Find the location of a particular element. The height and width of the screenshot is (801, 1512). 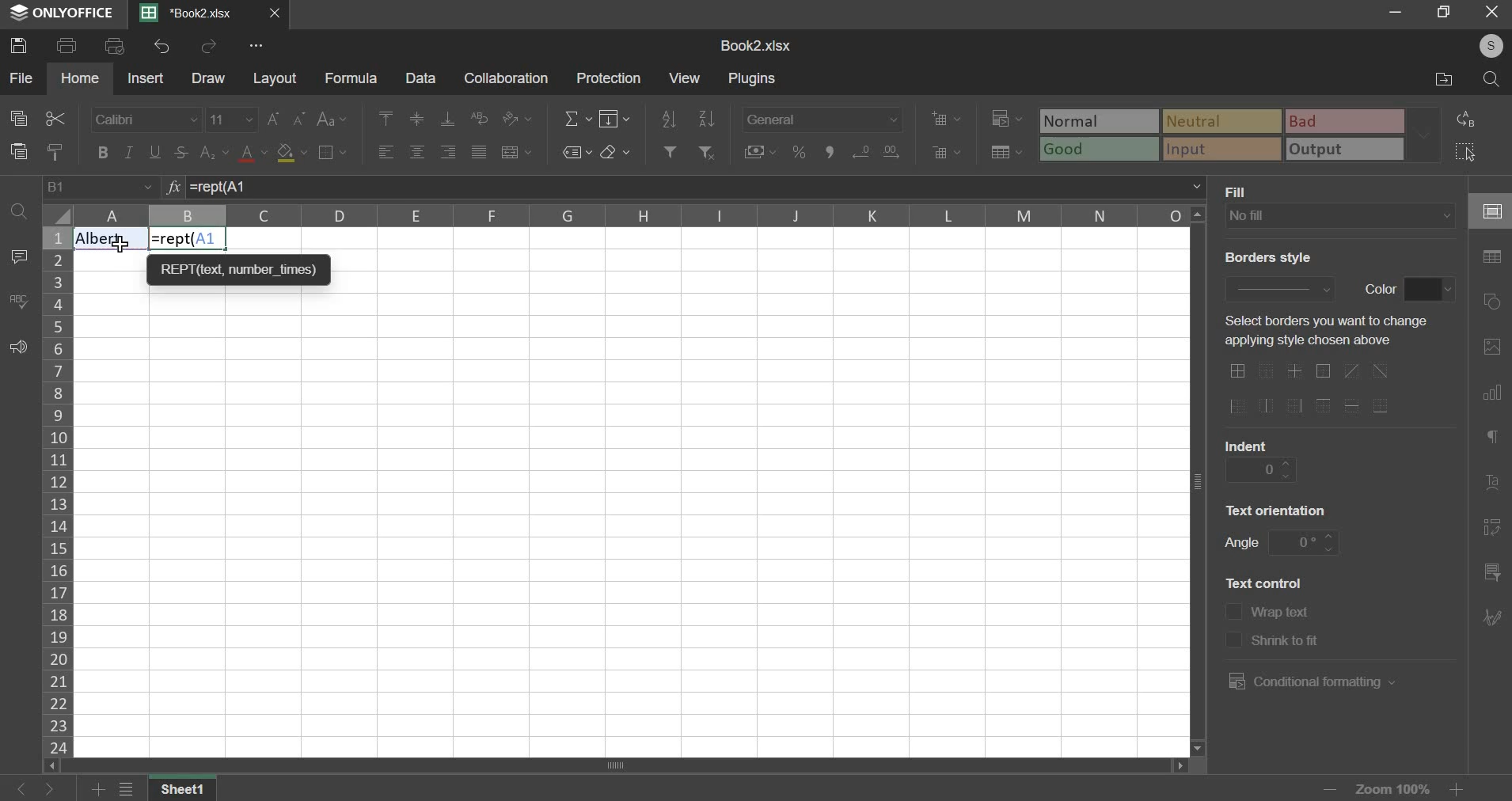

indent is located at coordinates (1257, 469).